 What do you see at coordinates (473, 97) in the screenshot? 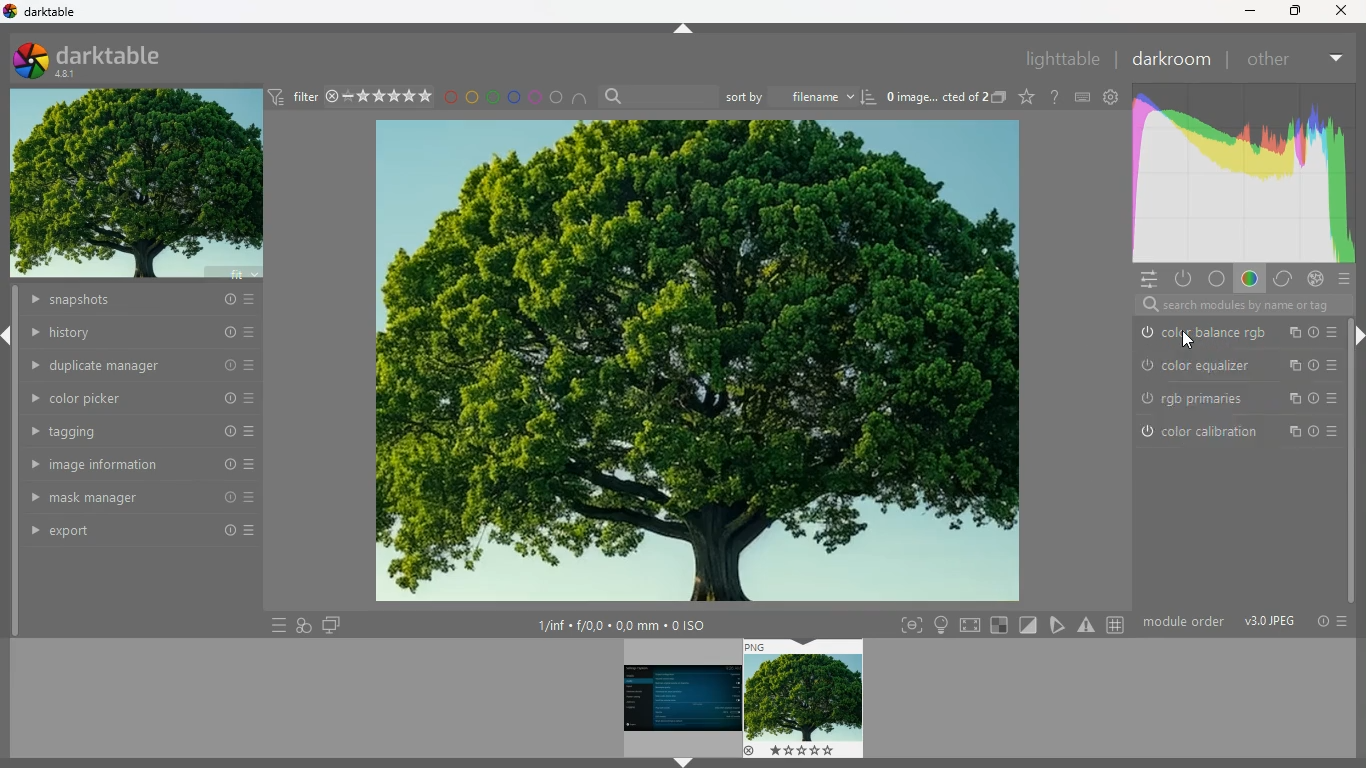
I see `yellow` at bounding box center [473, 97].